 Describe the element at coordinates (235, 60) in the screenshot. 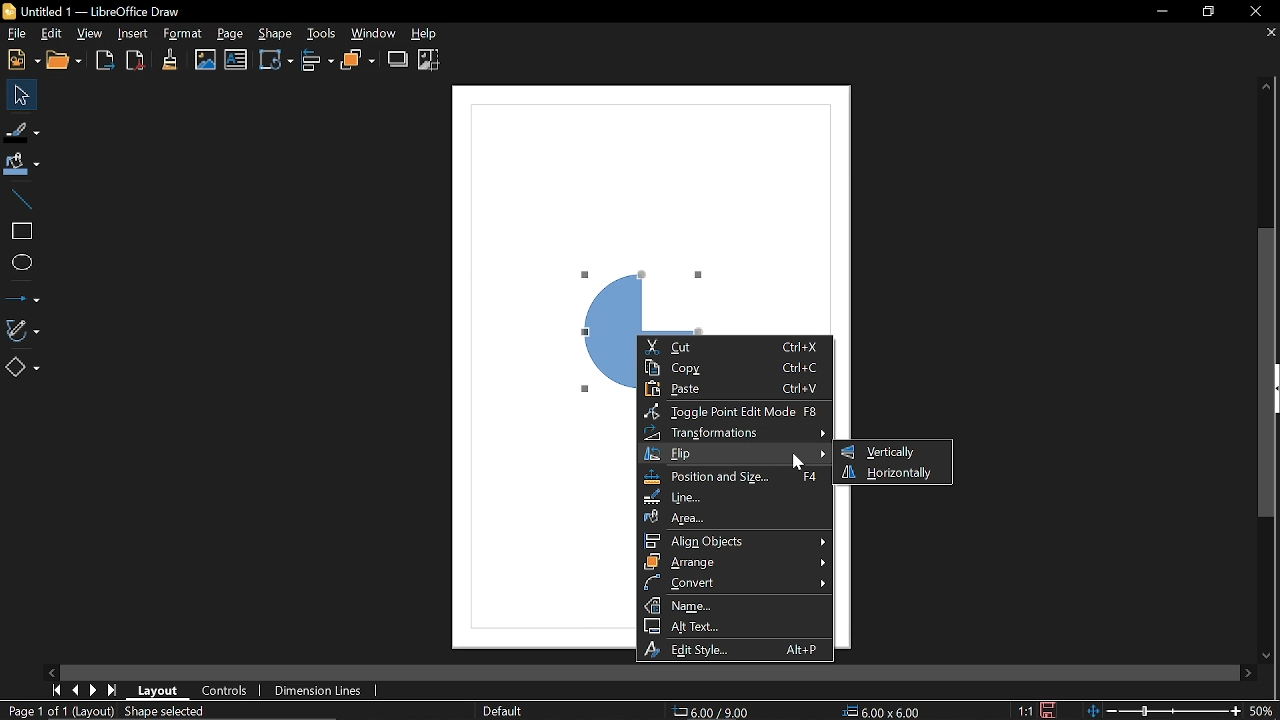

I see `Insert text` at that location.